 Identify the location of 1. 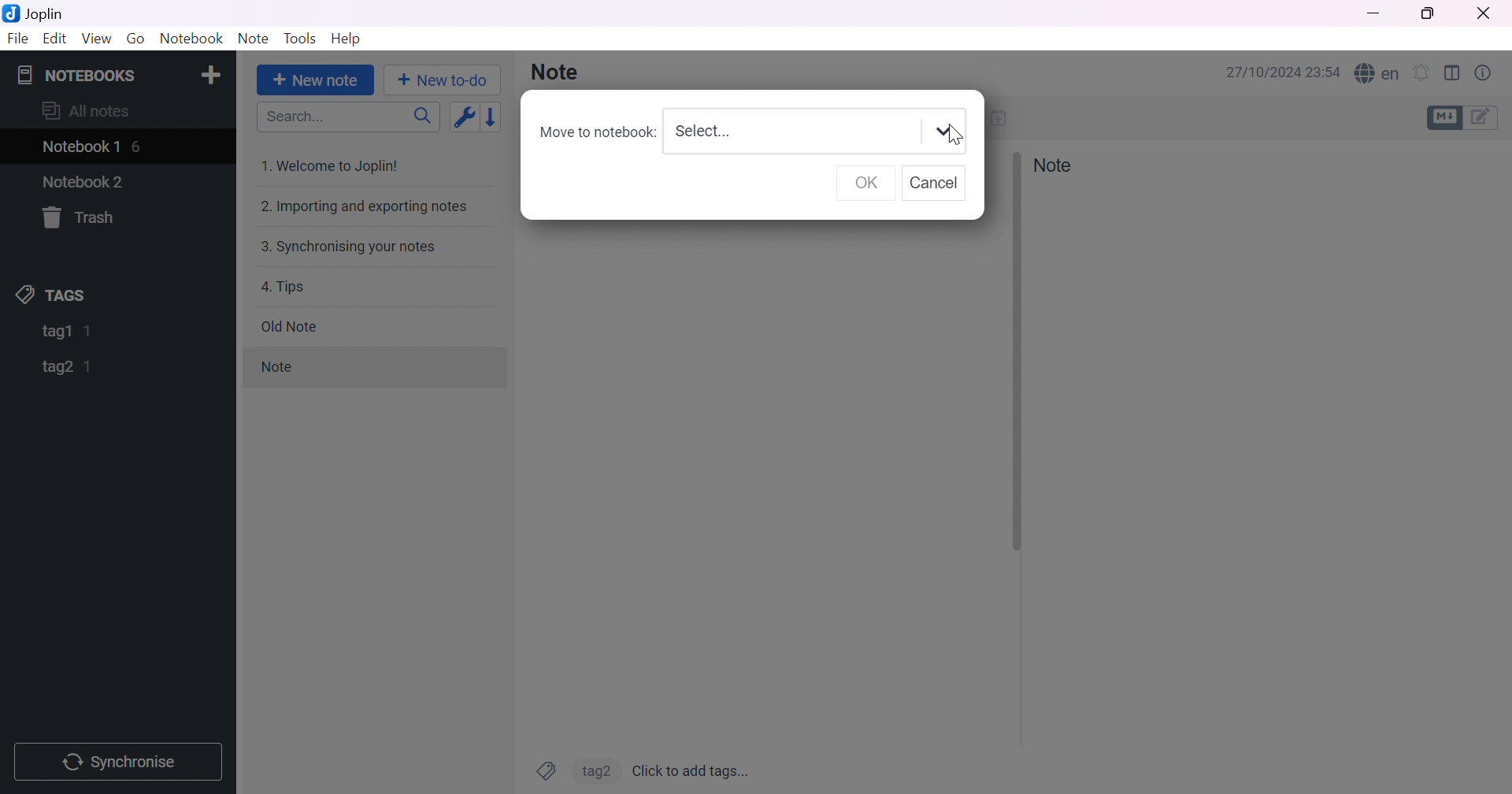
(91, 331).